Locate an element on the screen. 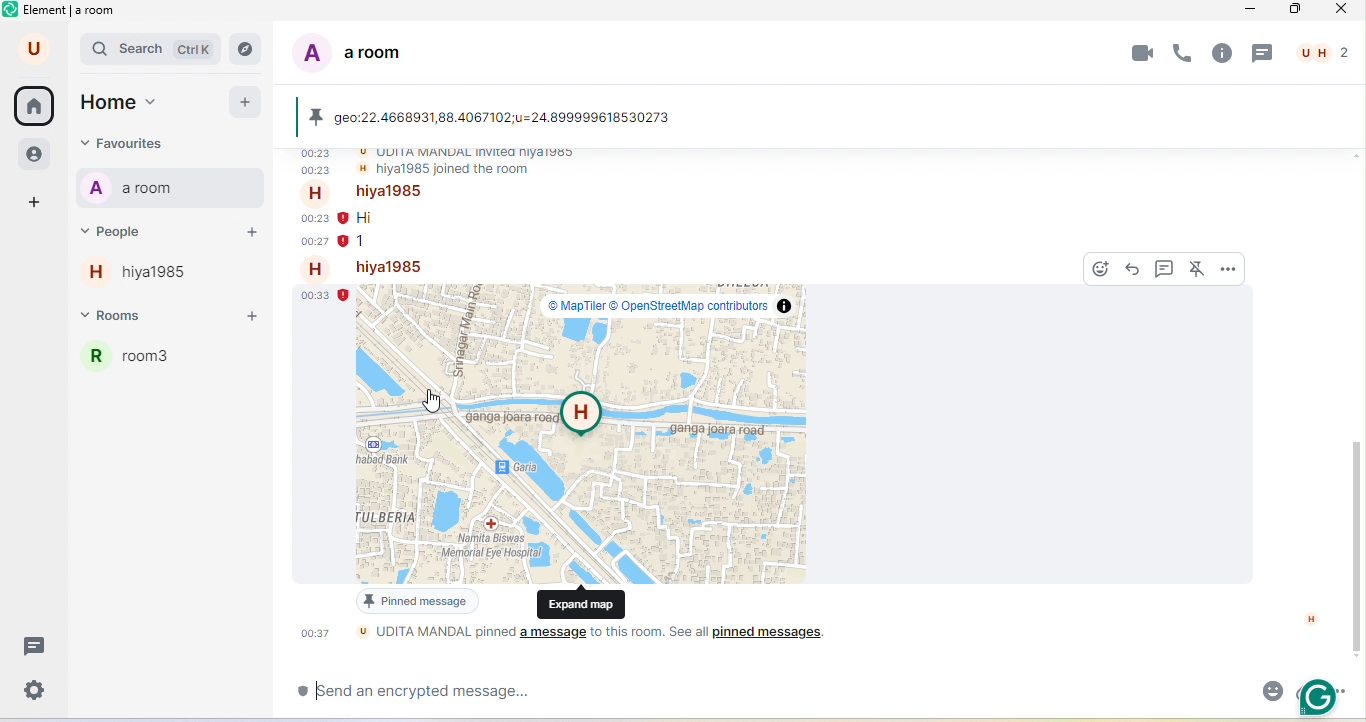 The image size is (1366, 722). geo 22 4668931, 88.4067102, u=24.899999618530273 is located at coordinates (515, 116).